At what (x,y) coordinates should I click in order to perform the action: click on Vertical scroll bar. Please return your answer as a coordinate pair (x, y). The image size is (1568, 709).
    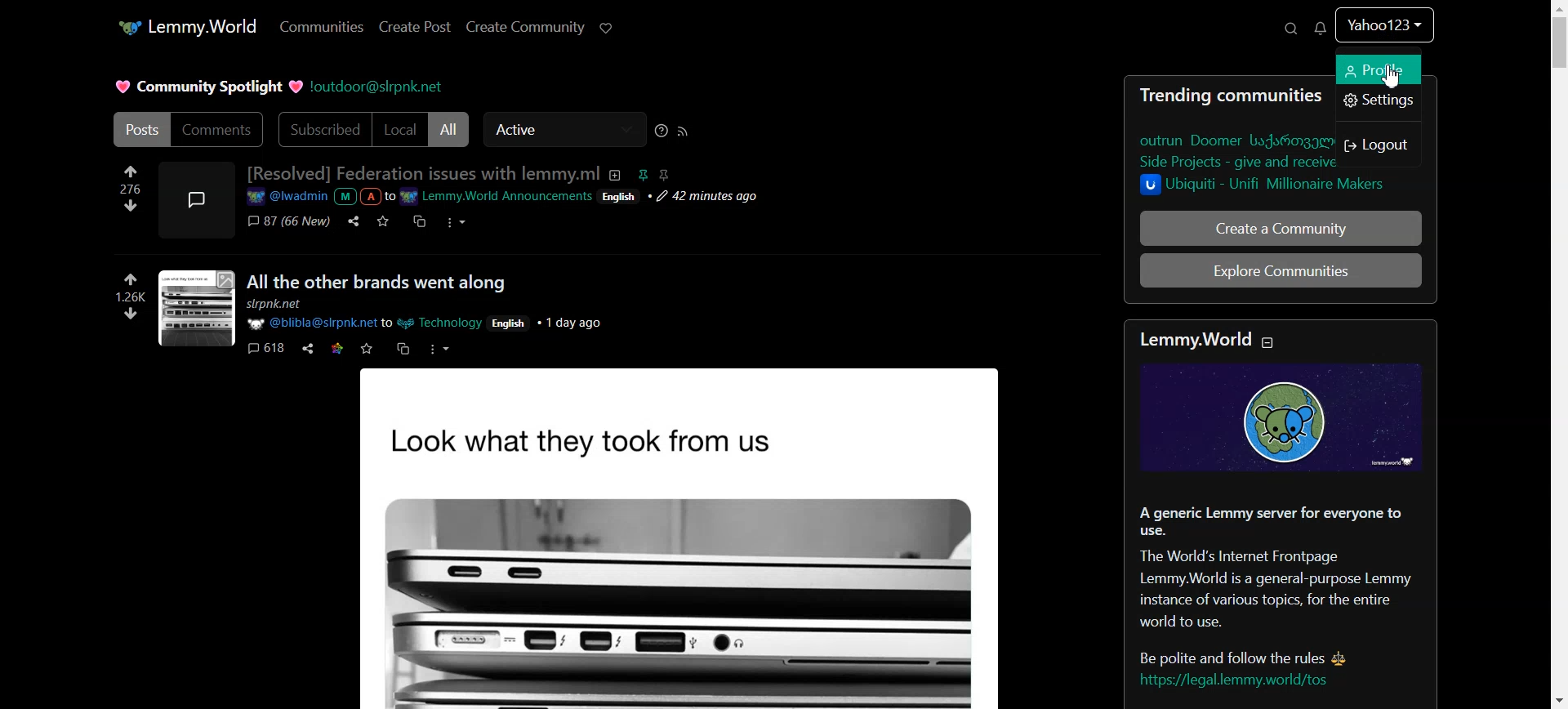
    Looking at the image, I should click on (1558, 354).